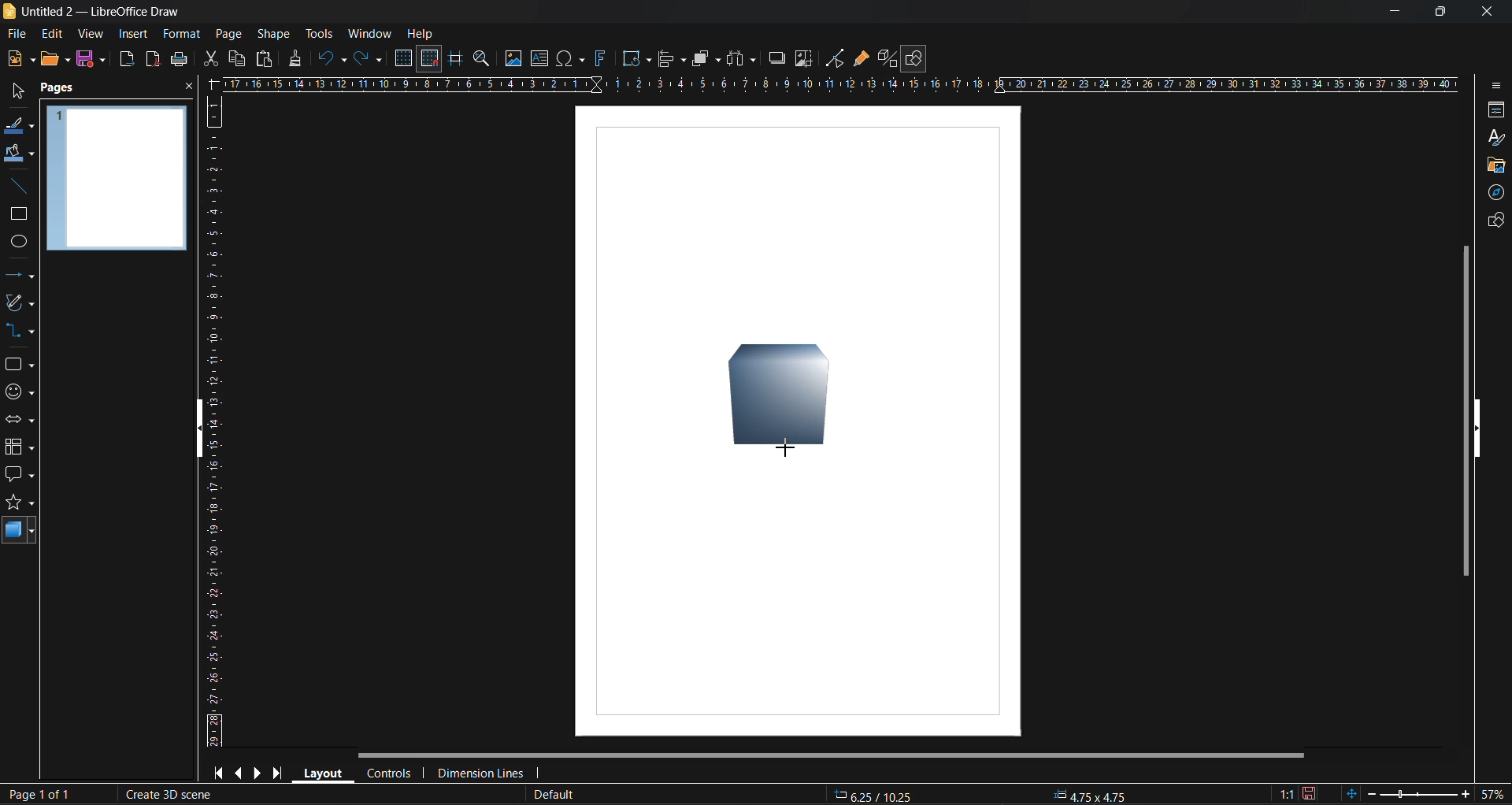 The image size is (1512, 805). I want to click on export as pdf, so click(150, 58).